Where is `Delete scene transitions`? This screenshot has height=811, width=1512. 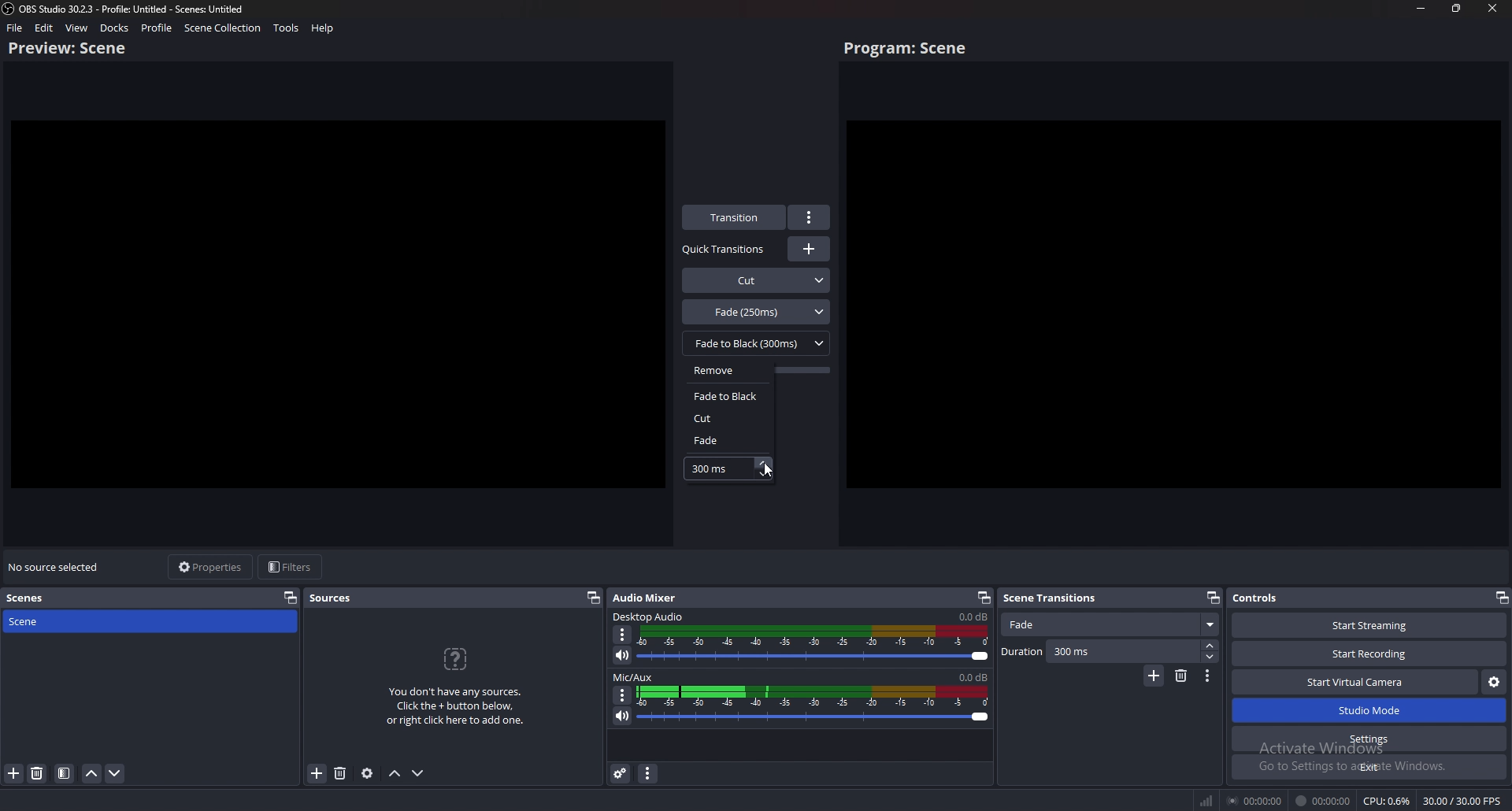 Delete scene transitions is located at coordinates (1181, 676).